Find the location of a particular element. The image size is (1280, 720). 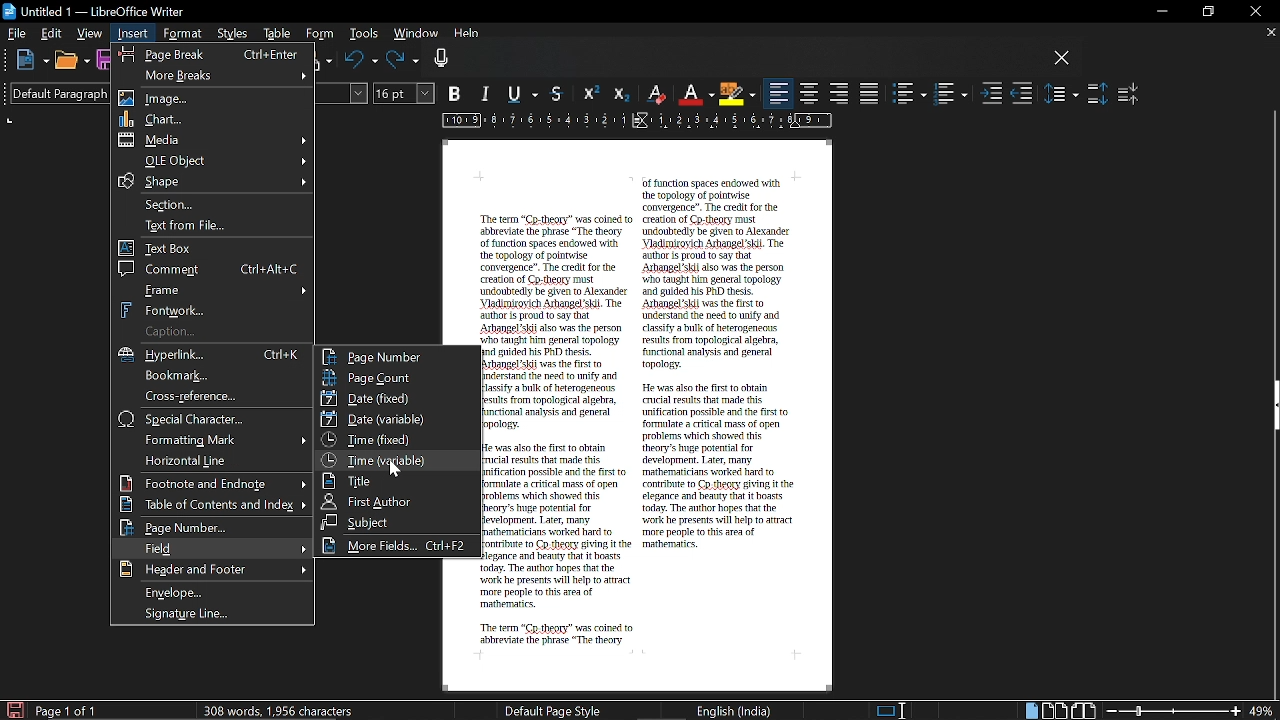

toggle unordered list is located at coordinates (910, 94).